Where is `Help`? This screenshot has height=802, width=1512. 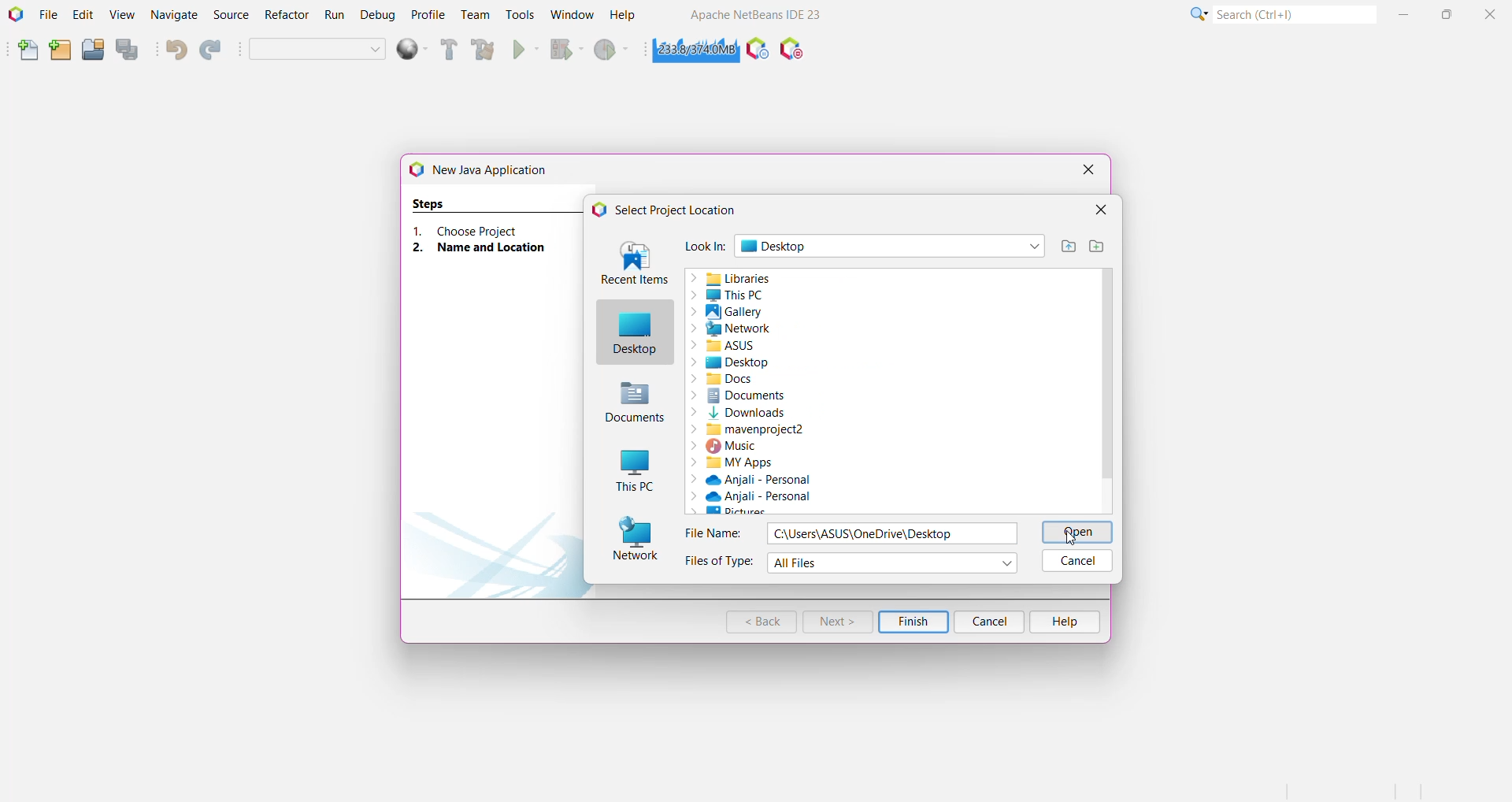
Help is located at coordinates (1065, 621).